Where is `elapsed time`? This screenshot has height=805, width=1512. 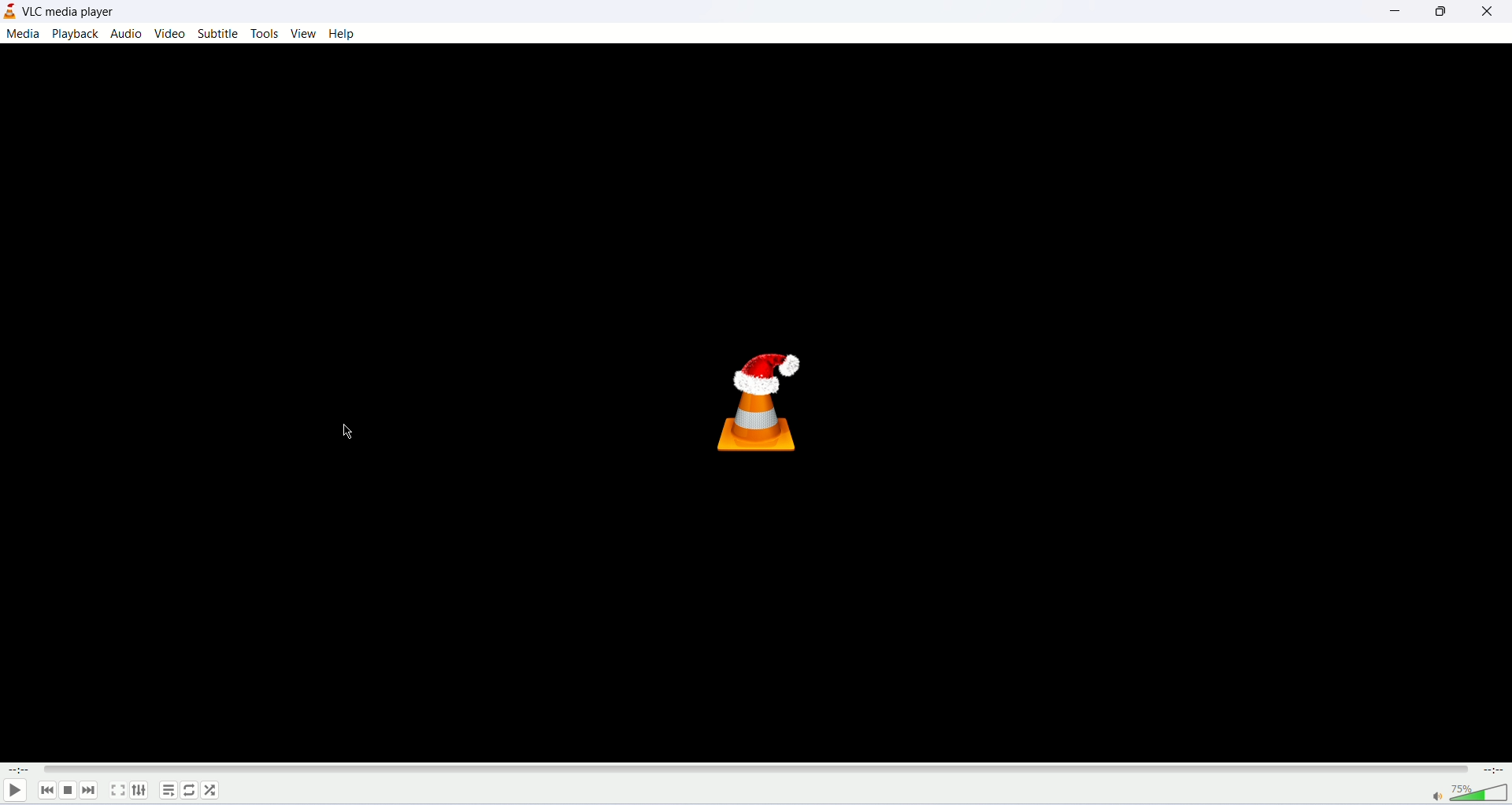 elapsed time is located at coordinates (18, 769).